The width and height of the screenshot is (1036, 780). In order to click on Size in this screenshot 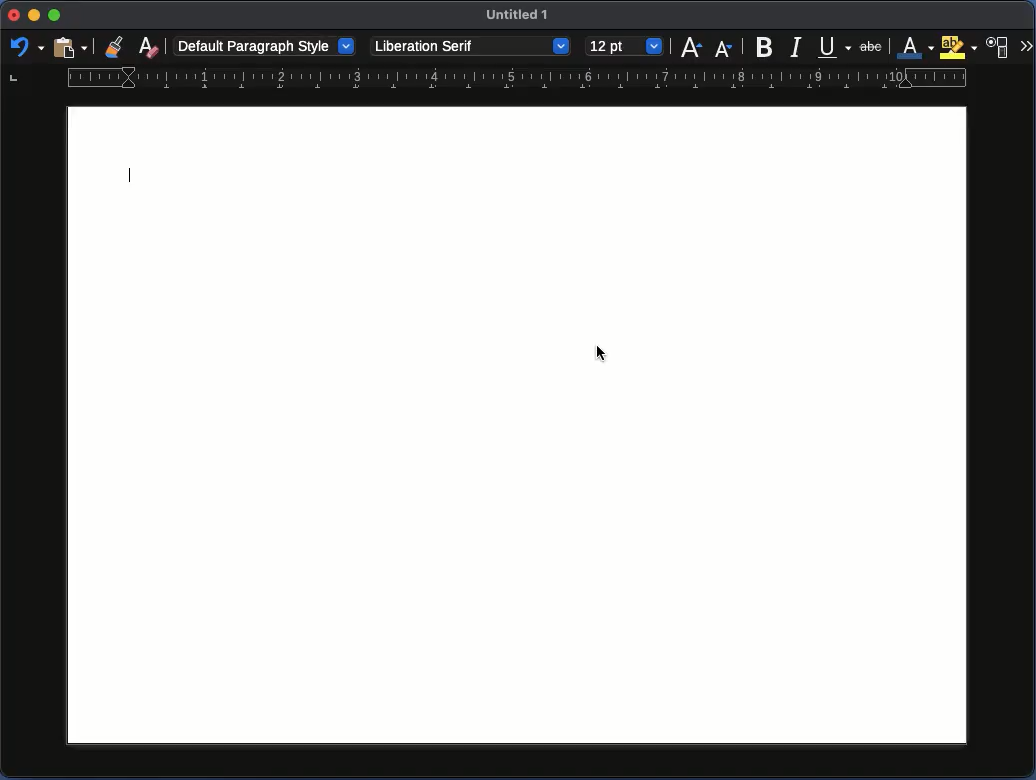, I will do `click(624, 47)`.